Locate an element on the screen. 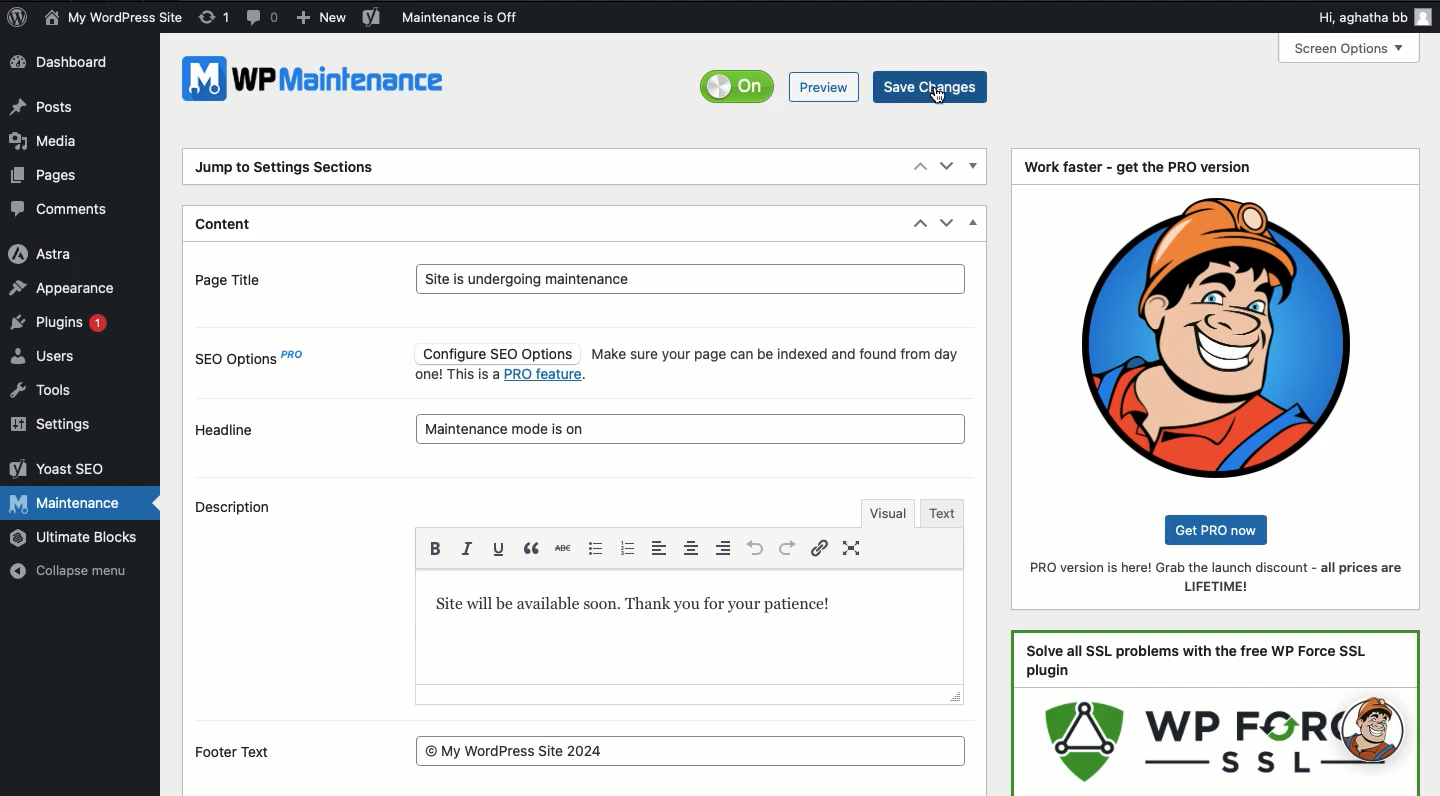 The image size is (1440, 796). one! This is a is located at coordinates (456, 375).